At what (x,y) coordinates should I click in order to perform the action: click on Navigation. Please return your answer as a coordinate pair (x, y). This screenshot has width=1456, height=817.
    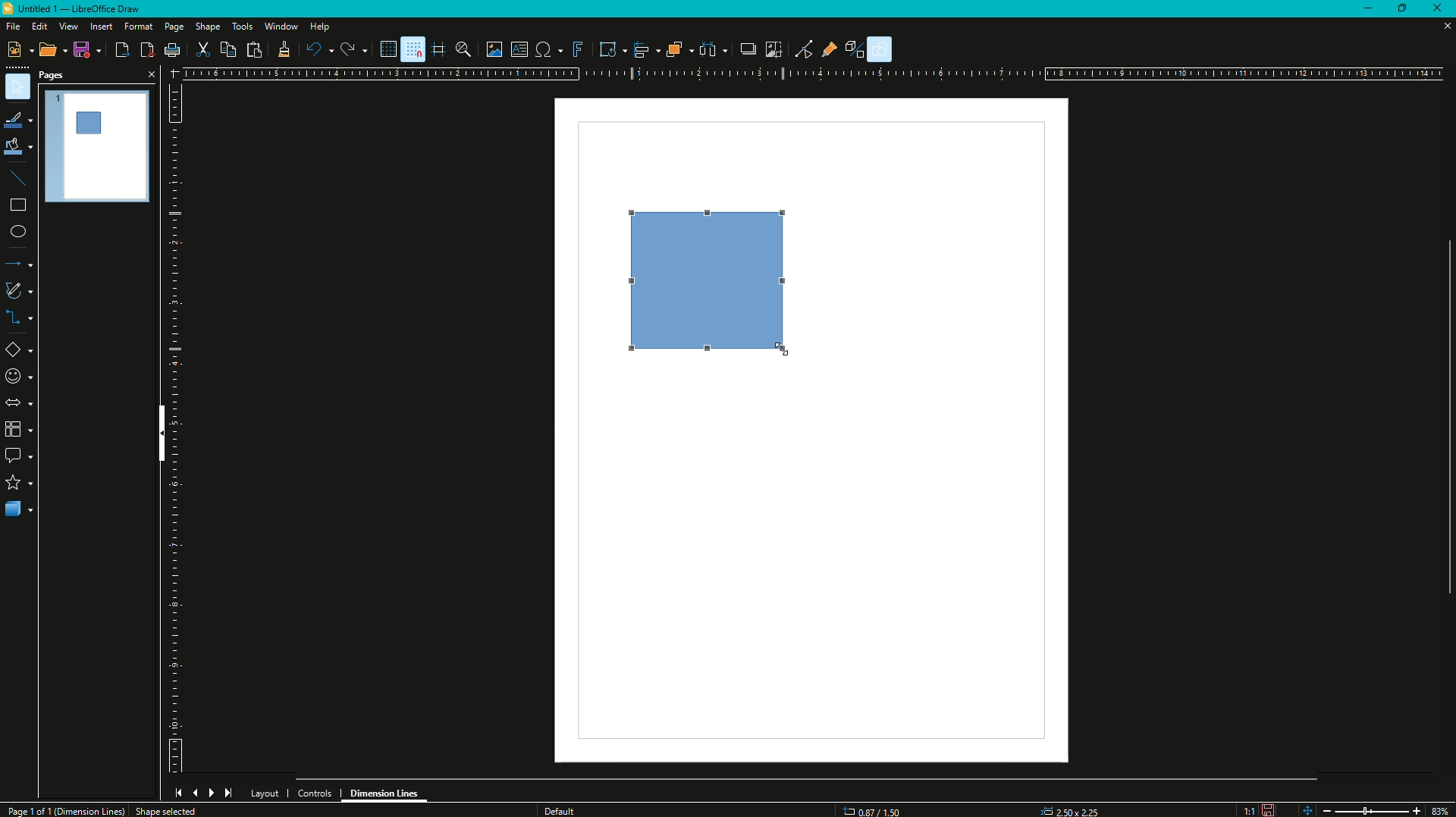
    Looking at the image, I should click on (203, 793).